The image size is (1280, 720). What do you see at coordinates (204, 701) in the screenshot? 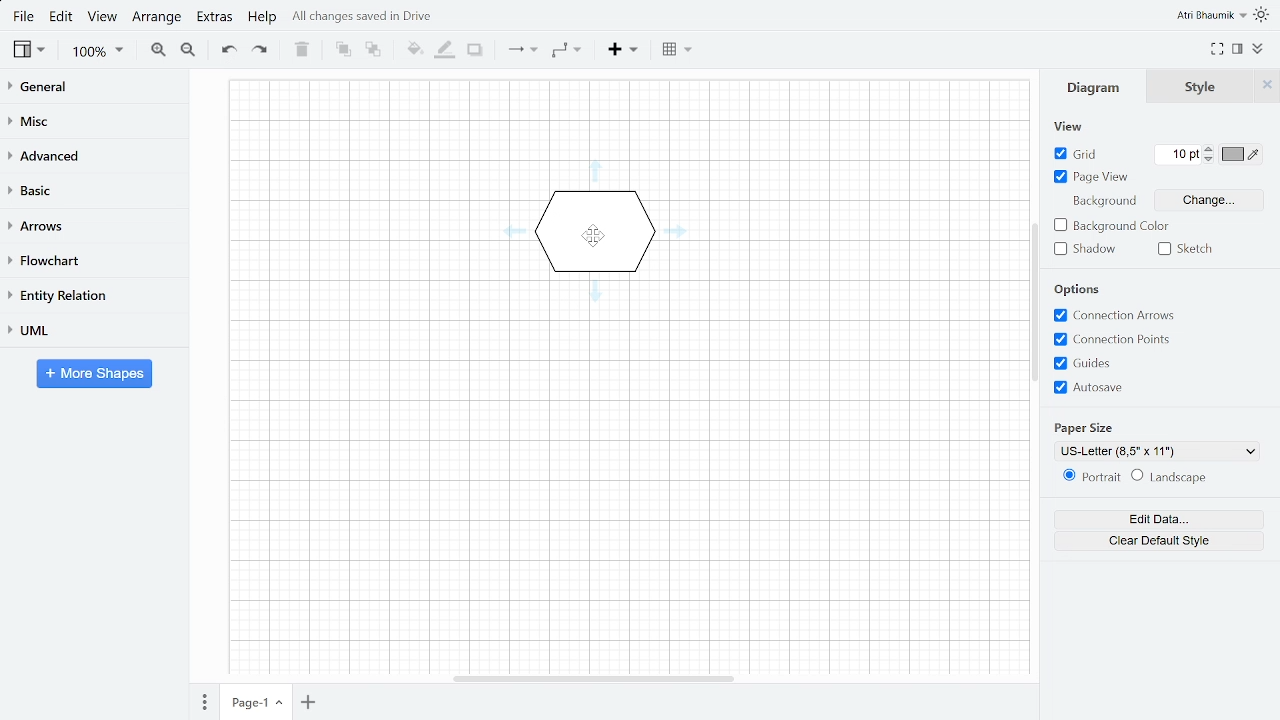
I see `pages Pages` at bounding box center [204, 701].